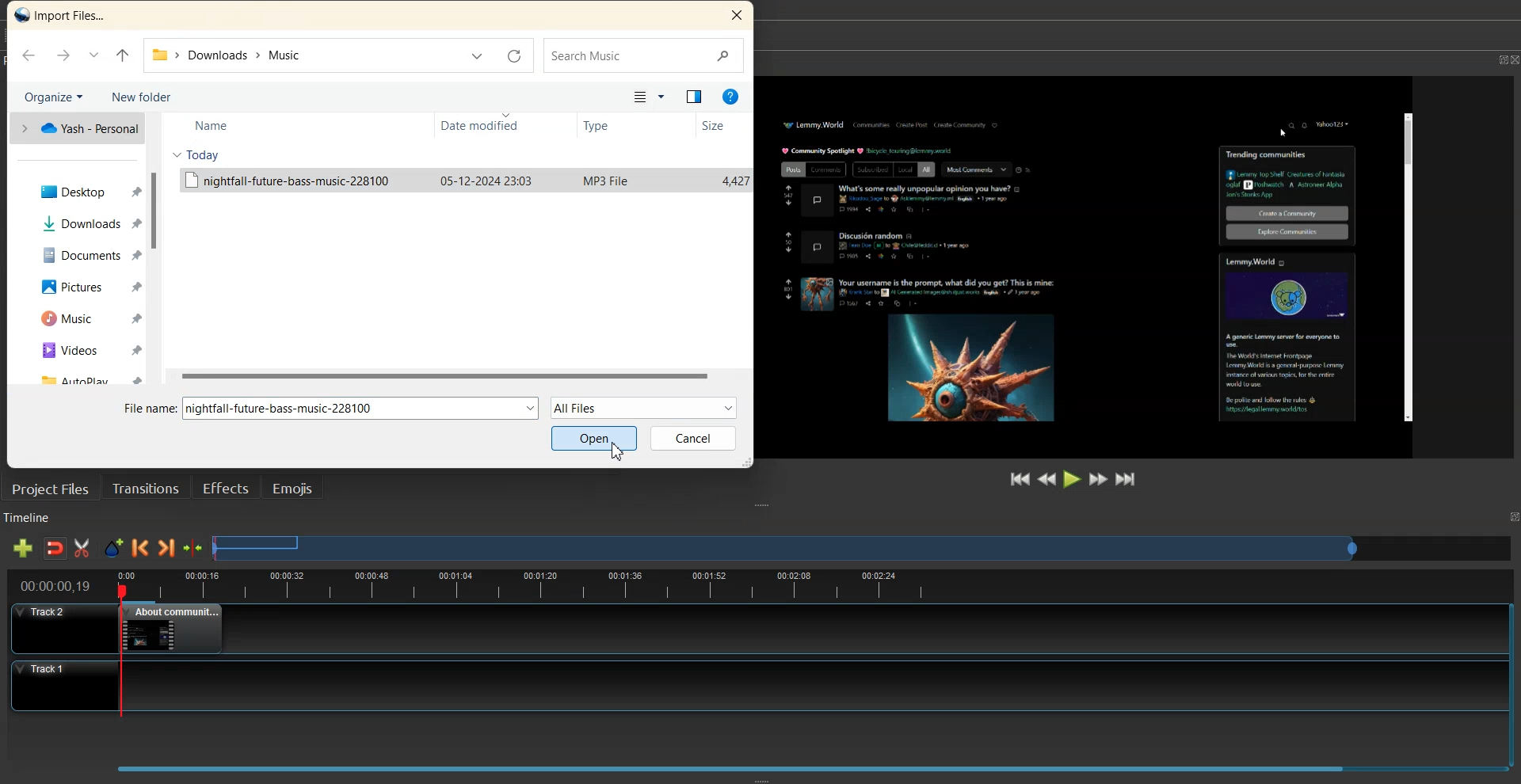  What do you see at coordinates (62, 16) in the screenshot?
I see `Text` at bounding box center [62, 16].